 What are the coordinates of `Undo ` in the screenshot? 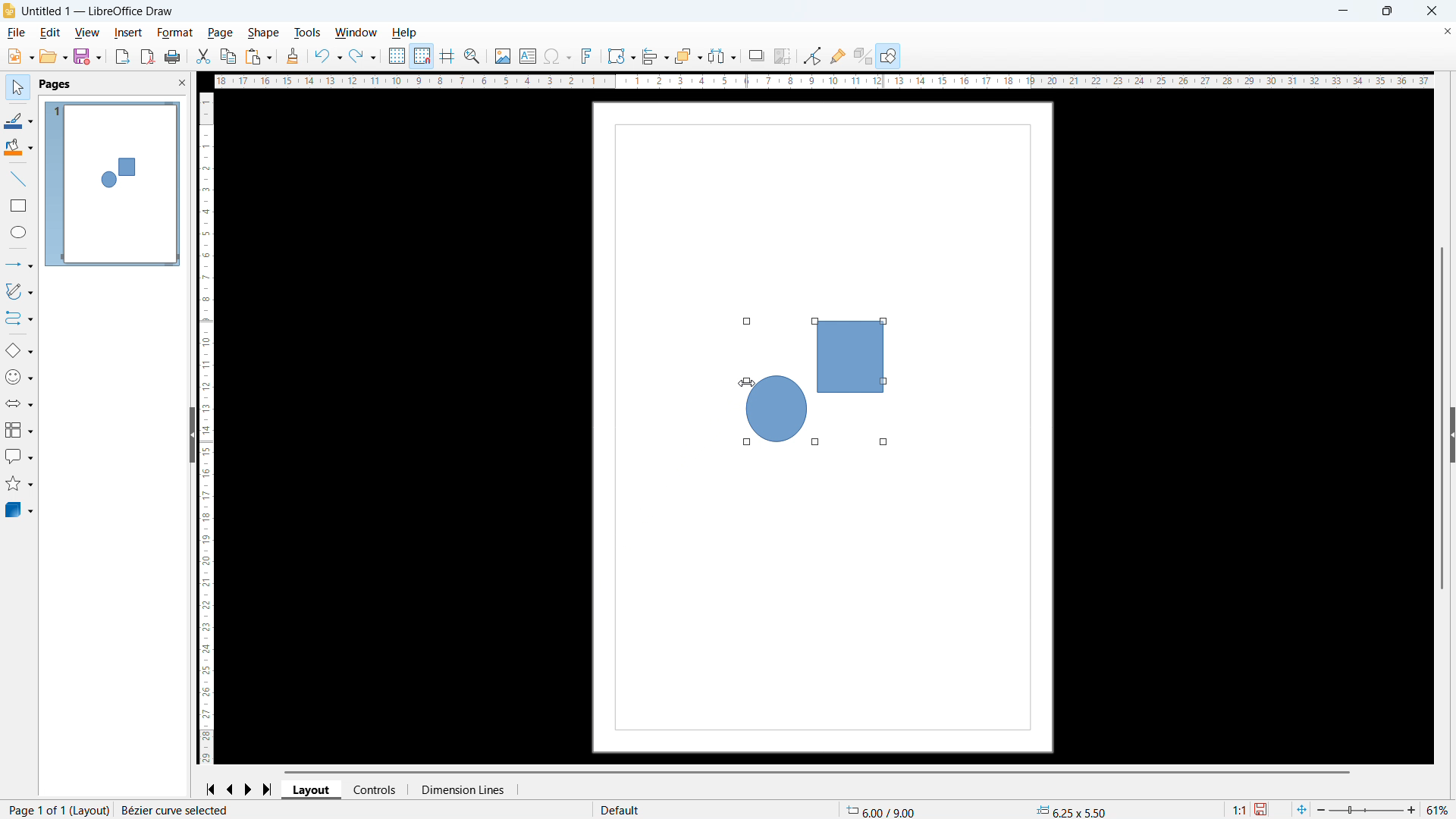 It's located at (328, 55).